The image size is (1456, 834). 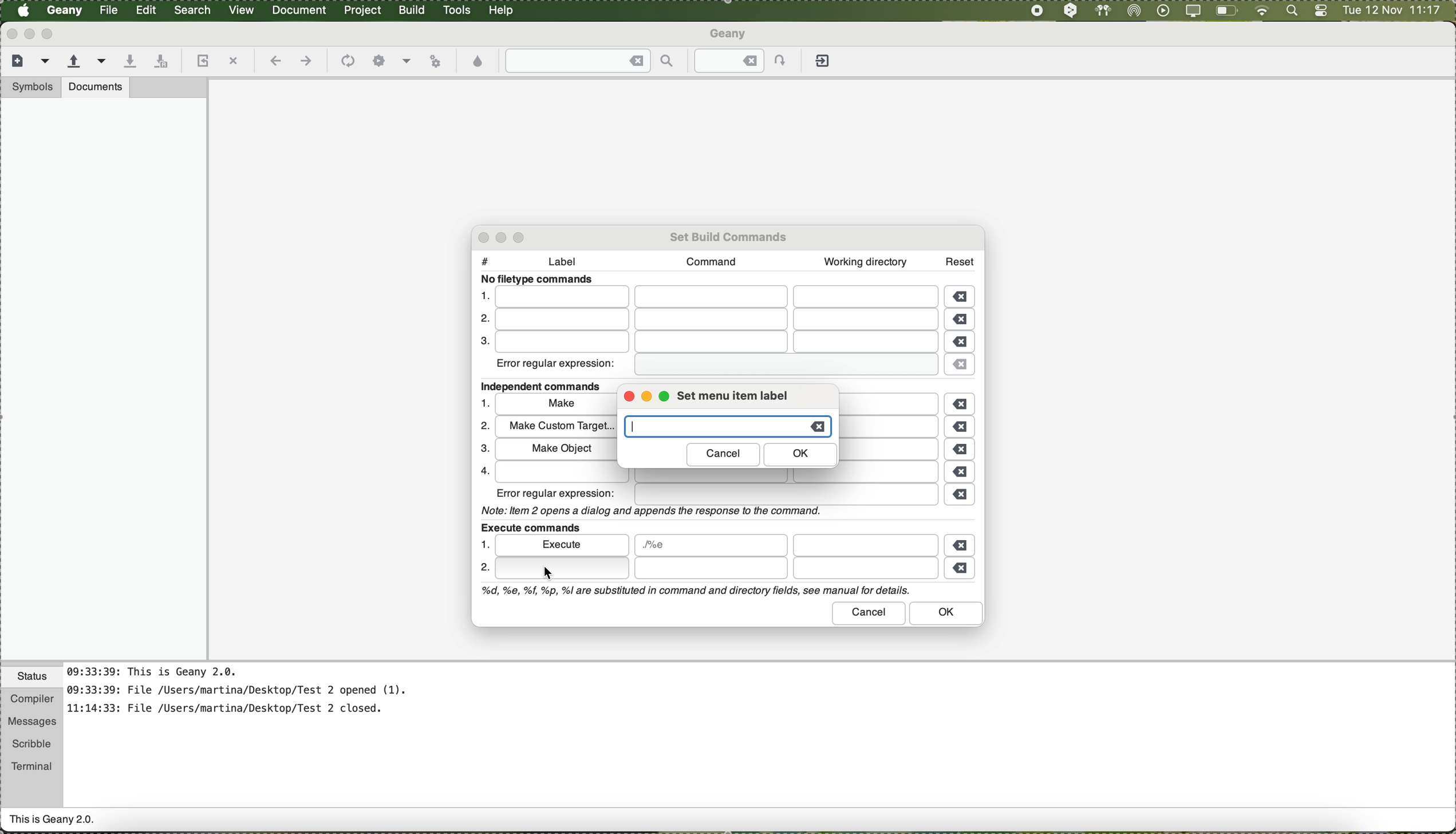 I want to click on play, so click(x=1161, y=10).